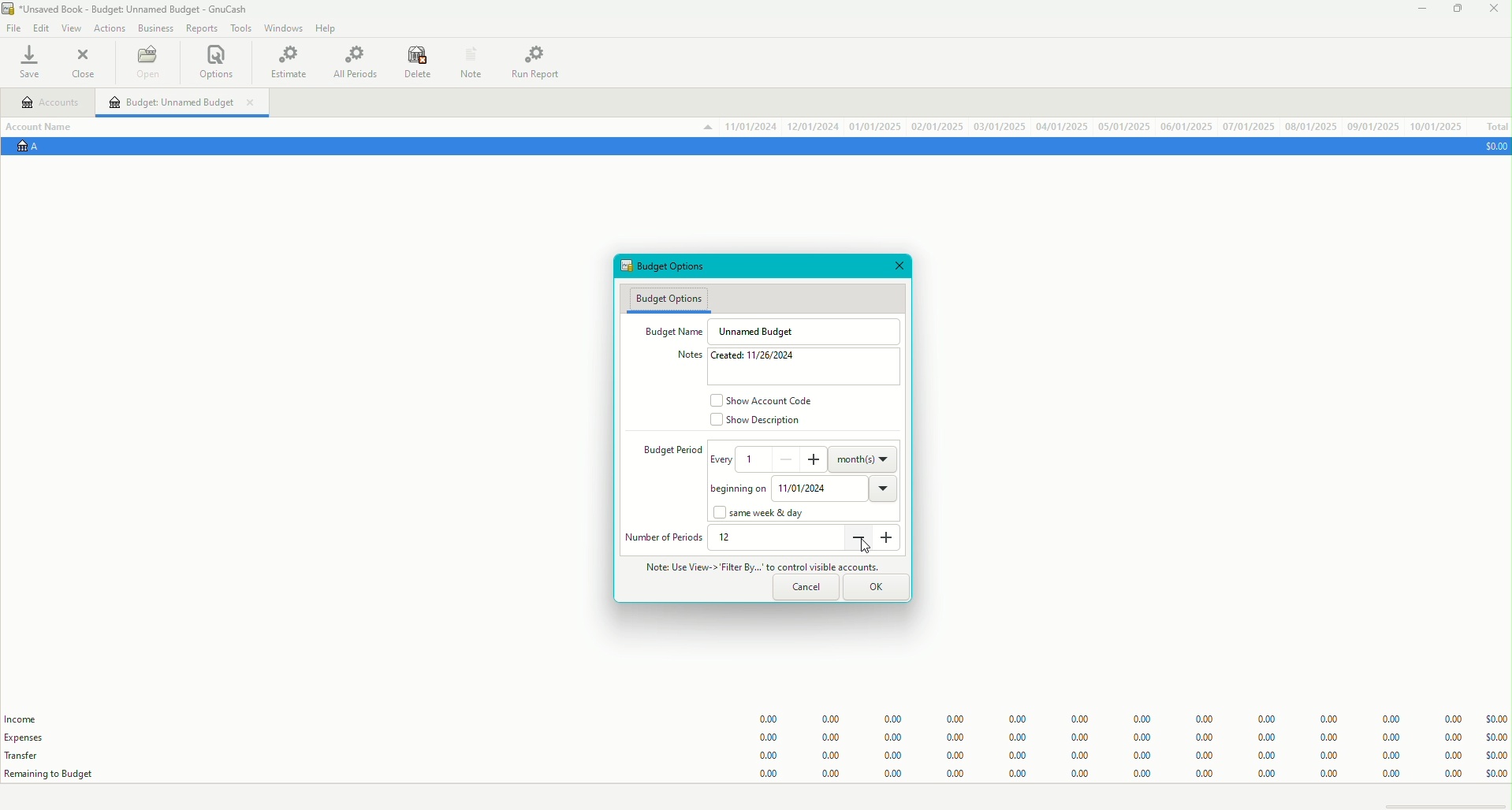 Image resolution: width=1512 pixels, height=810 pixels. What do you see at coordinates (1082, 126) in the screenshot?
I see `Account Data` at bounding box center [1082, 126].